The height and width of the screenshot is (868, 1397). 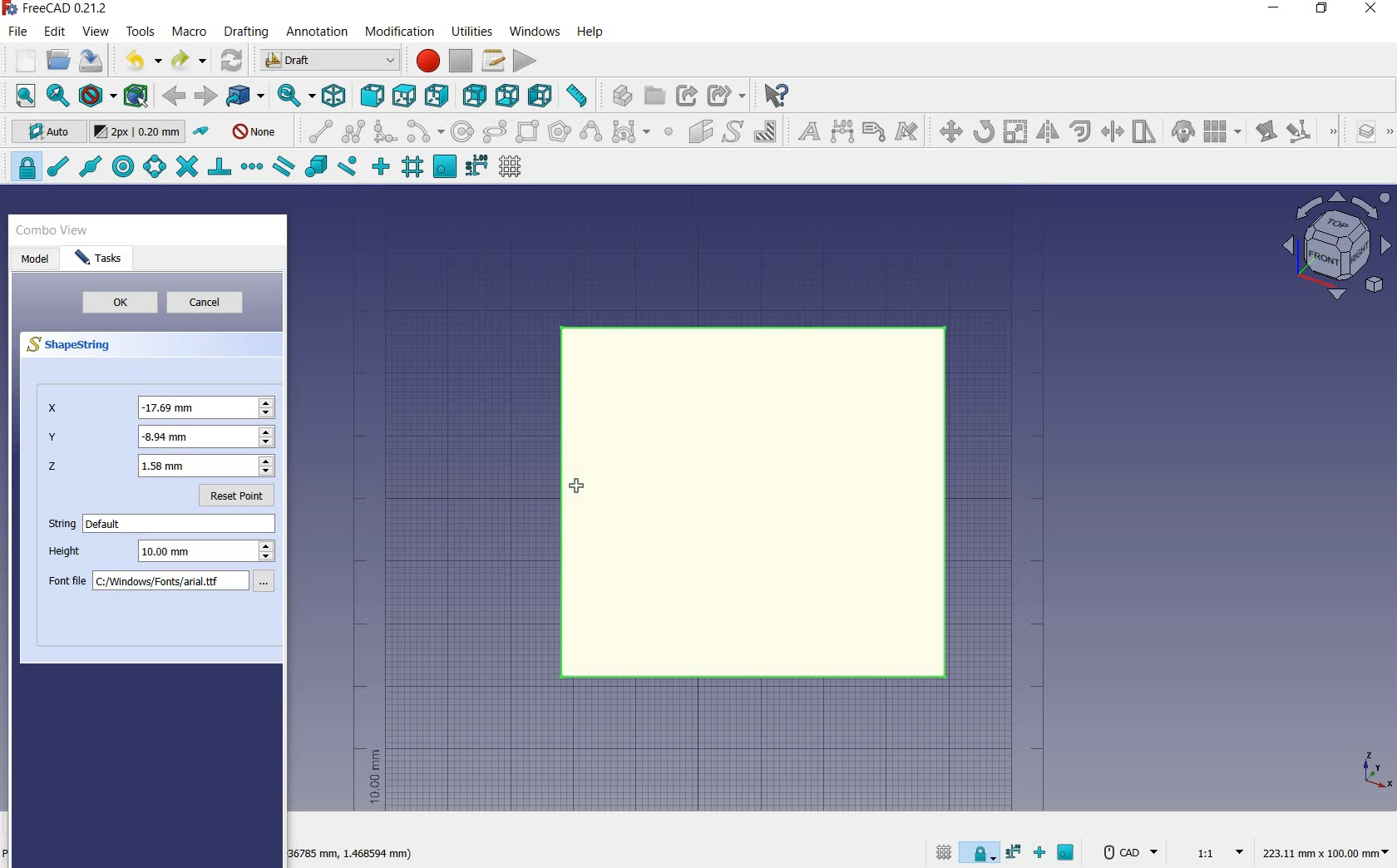 What do you see at coordinates (121, 167) in the screenshot?
I see `snap center` at bounding box center [121, 167].